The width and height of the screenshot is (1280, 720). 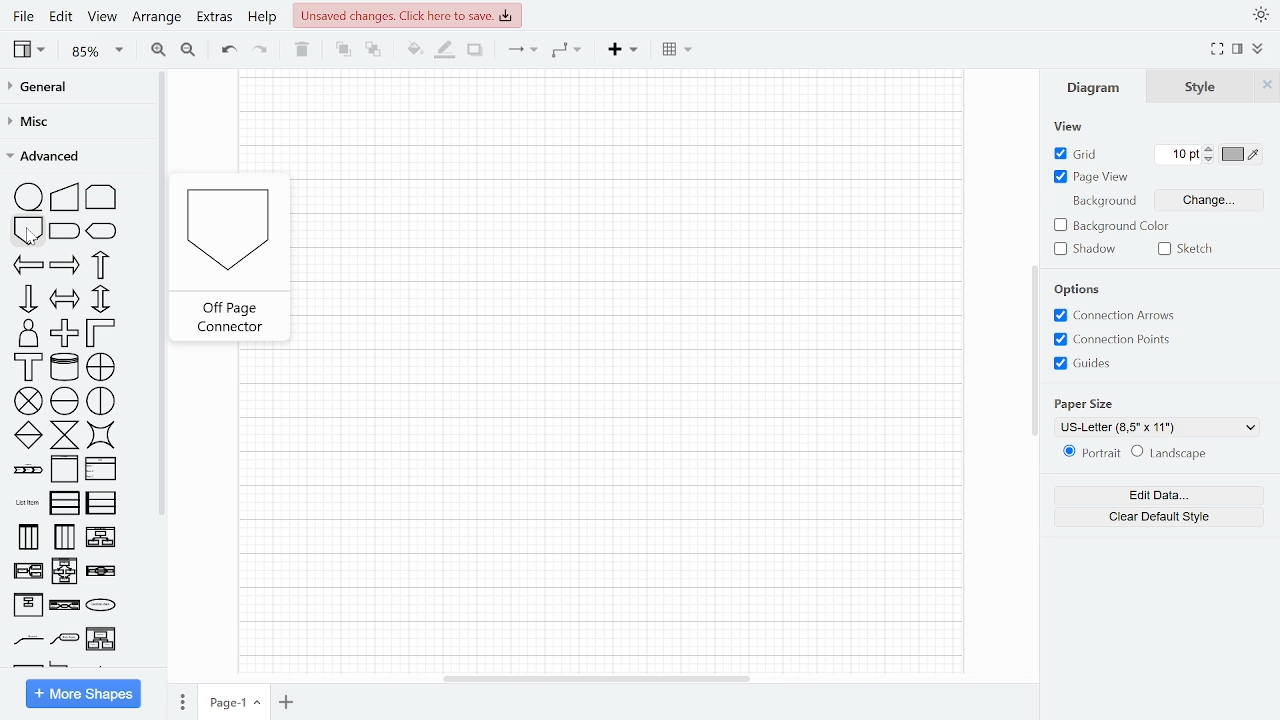 What do you see at coordinates (74, 158) in the screenshot?
I see `Advanced` at bounding box center [74, 158].